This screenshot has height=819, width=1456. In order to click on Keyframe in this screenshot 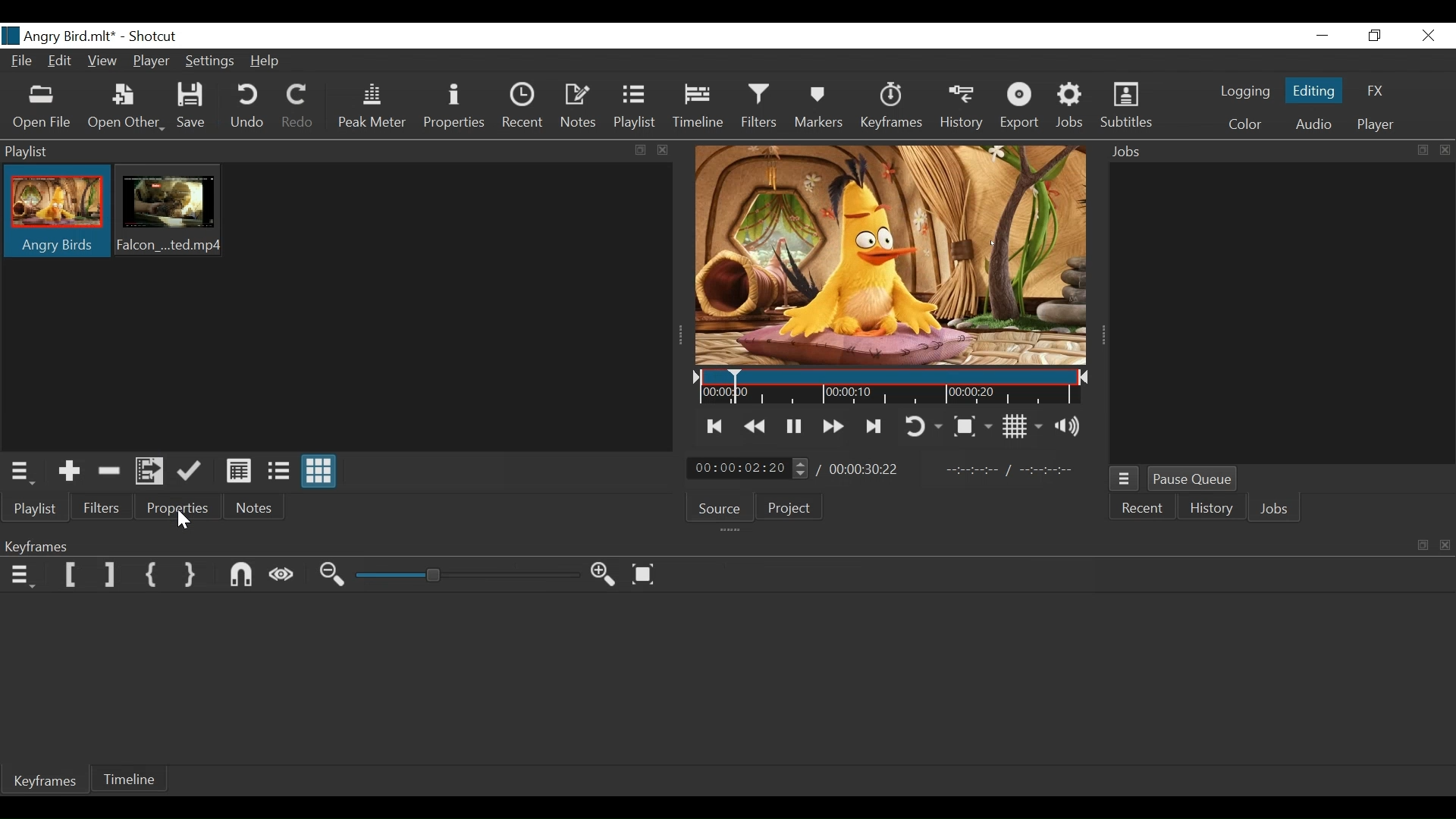, I will do `click(893, 110)`.